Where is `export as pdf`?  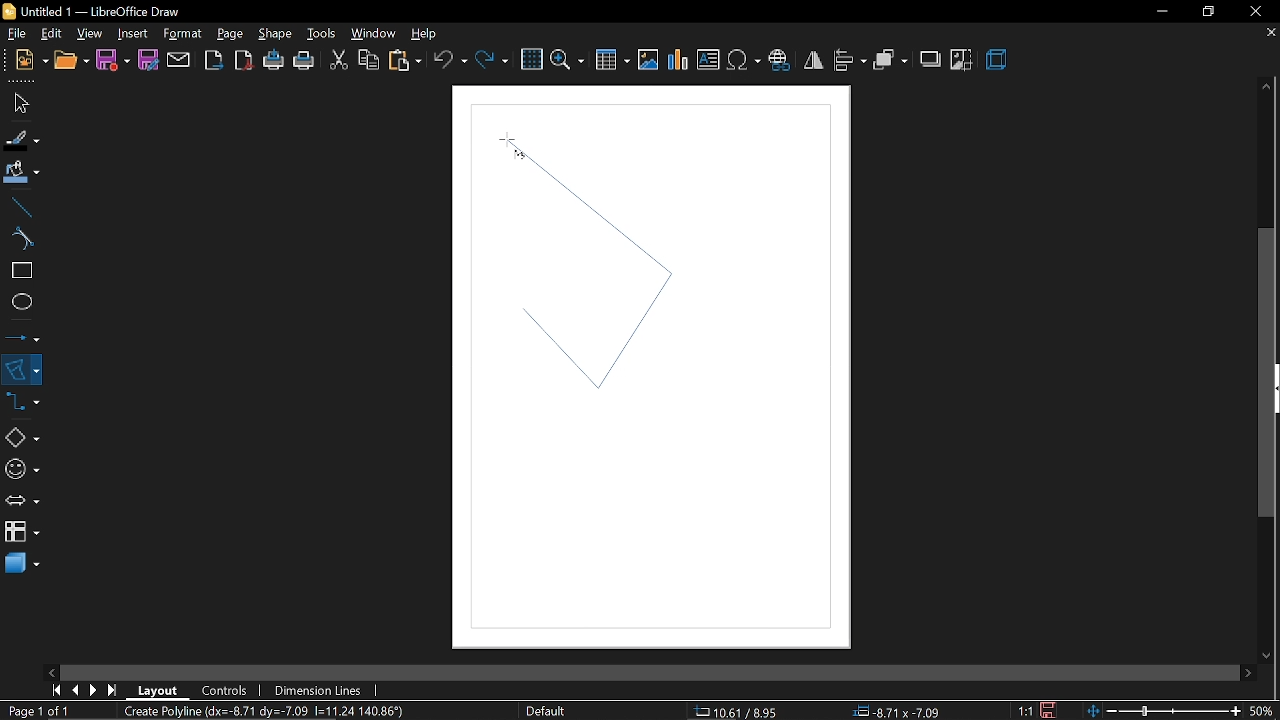
export as pdf is located at coordinates (245, 61).